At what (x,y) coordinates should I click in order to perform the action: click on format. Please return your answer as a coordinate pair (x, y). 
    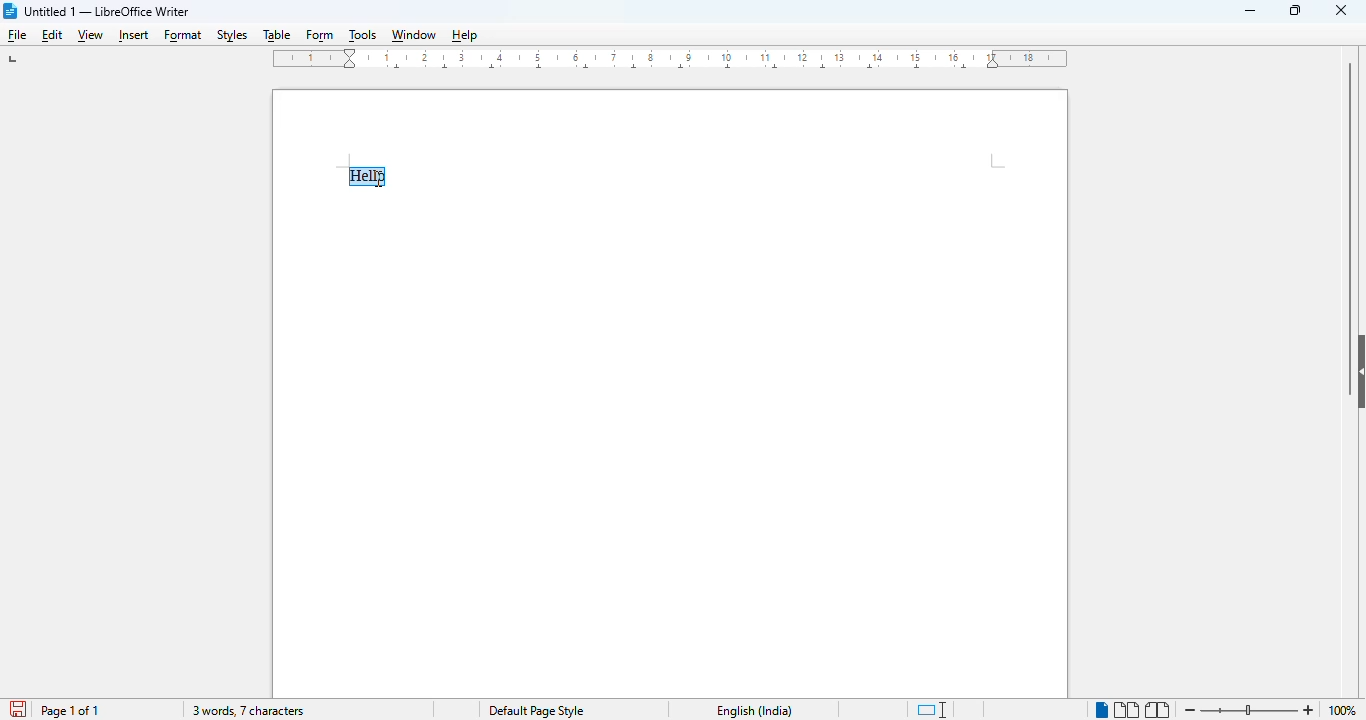
    Looking at the image, I should click on (184, 37).